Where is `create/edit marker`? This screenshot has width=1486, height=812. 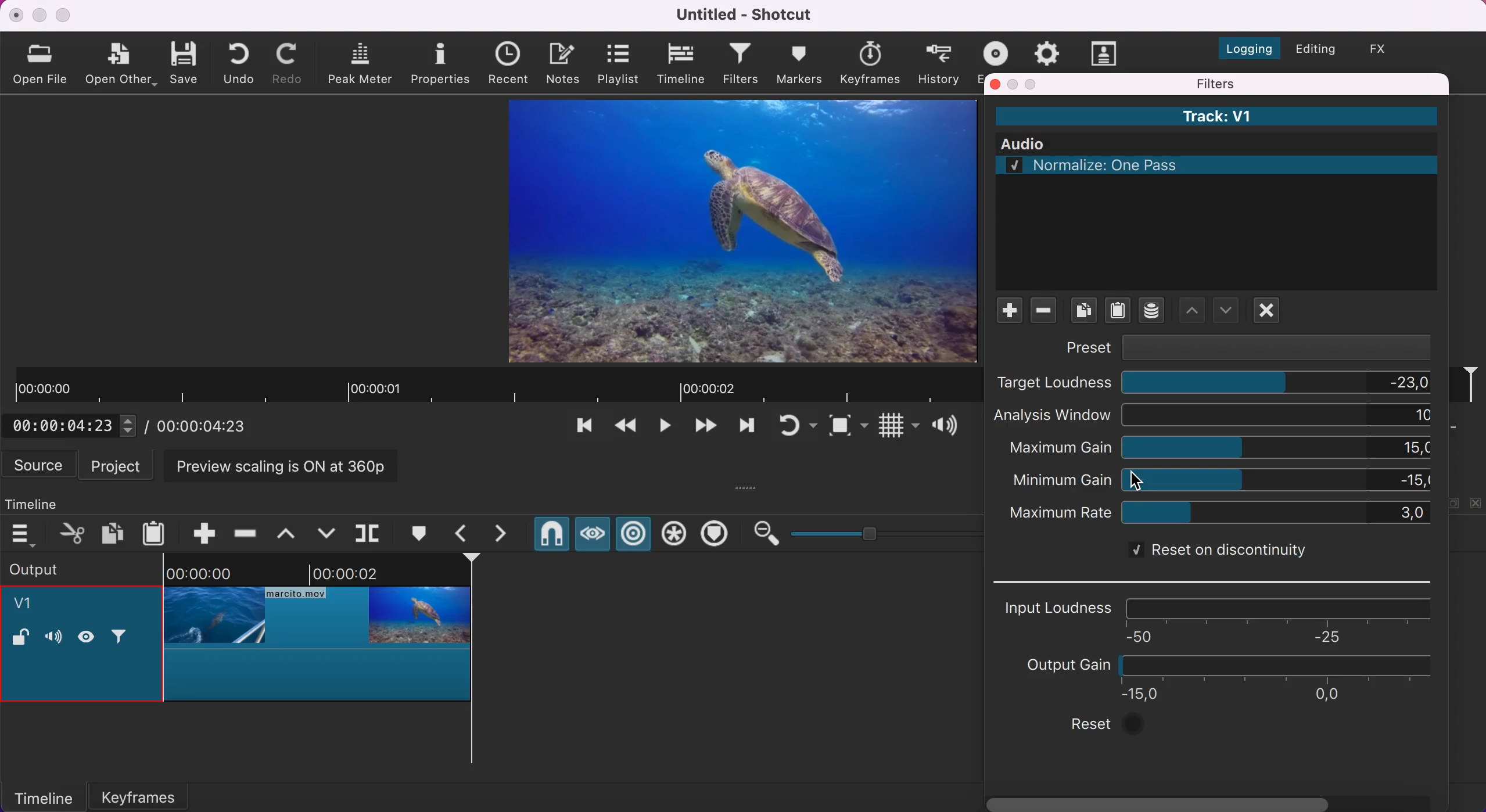 create/edit marker is located at coordinates (422, 534).